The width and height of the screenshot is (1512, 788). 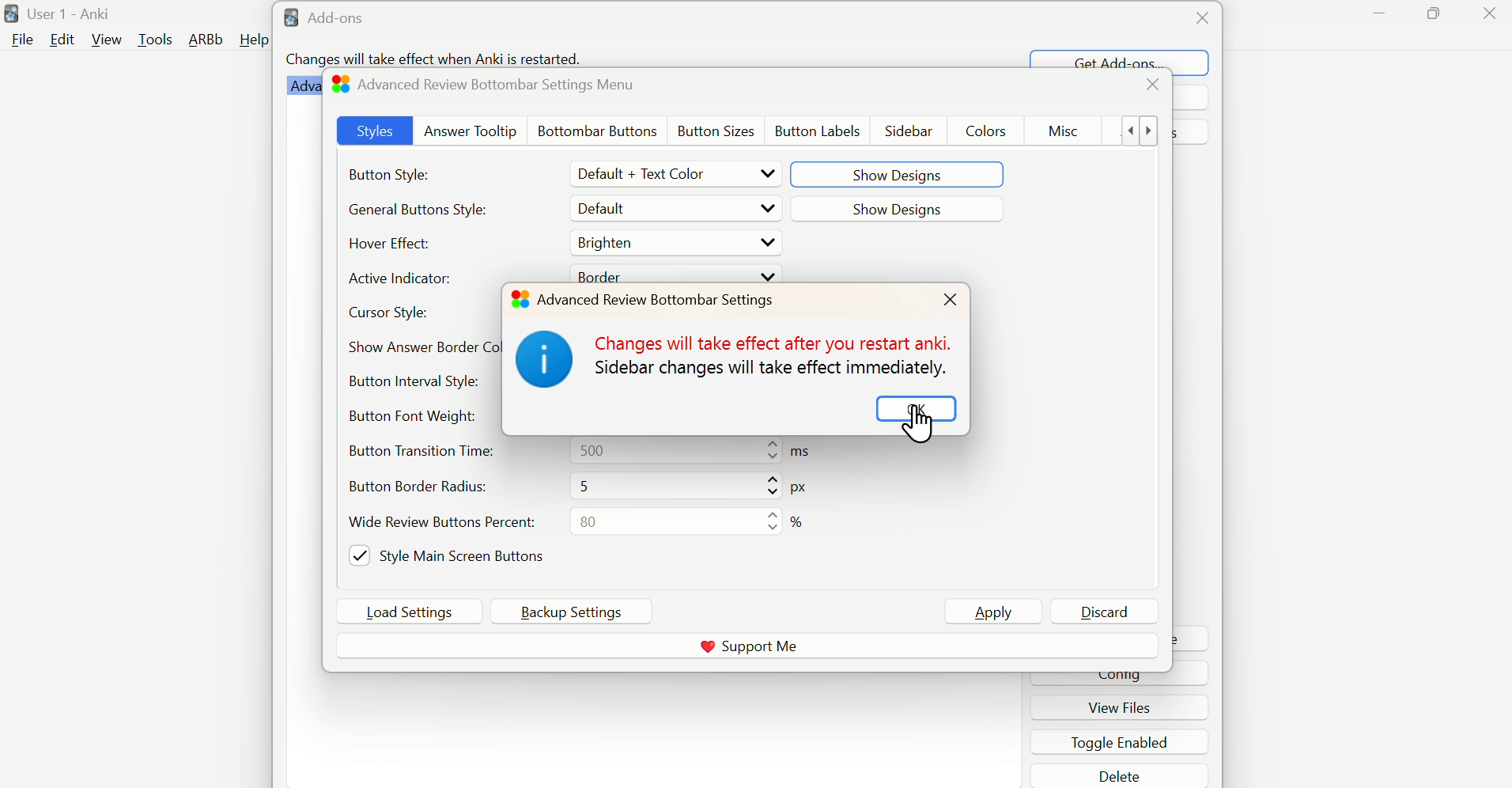 What do you see at coordinates (603, 243) in the screenshot?
I see `Brighten` at bounding box center [603, 243].